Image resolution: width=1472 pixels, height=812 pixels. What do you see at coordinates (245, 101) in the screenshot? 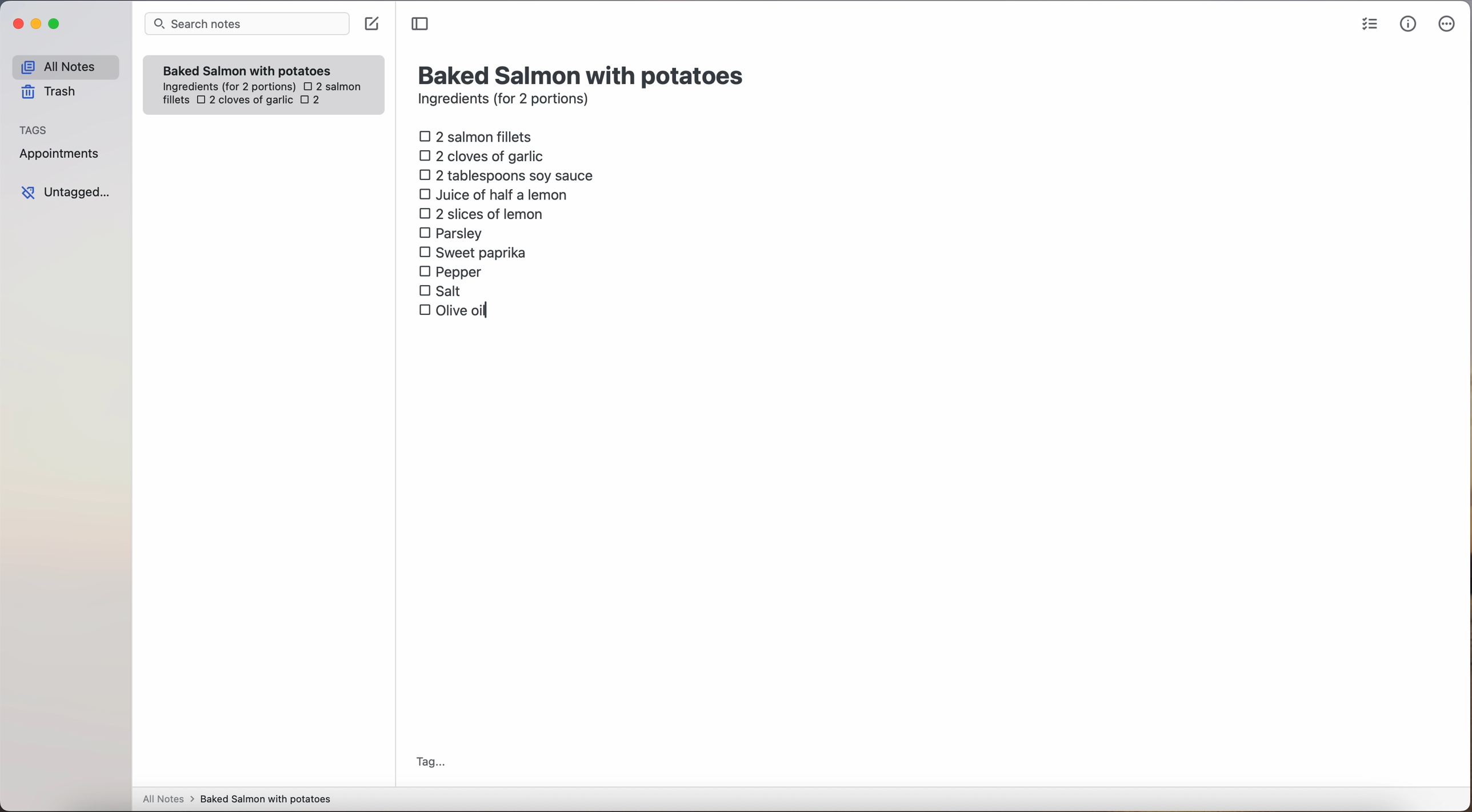
I see `2 cloves of garlic` at bounding box center [245, 101].